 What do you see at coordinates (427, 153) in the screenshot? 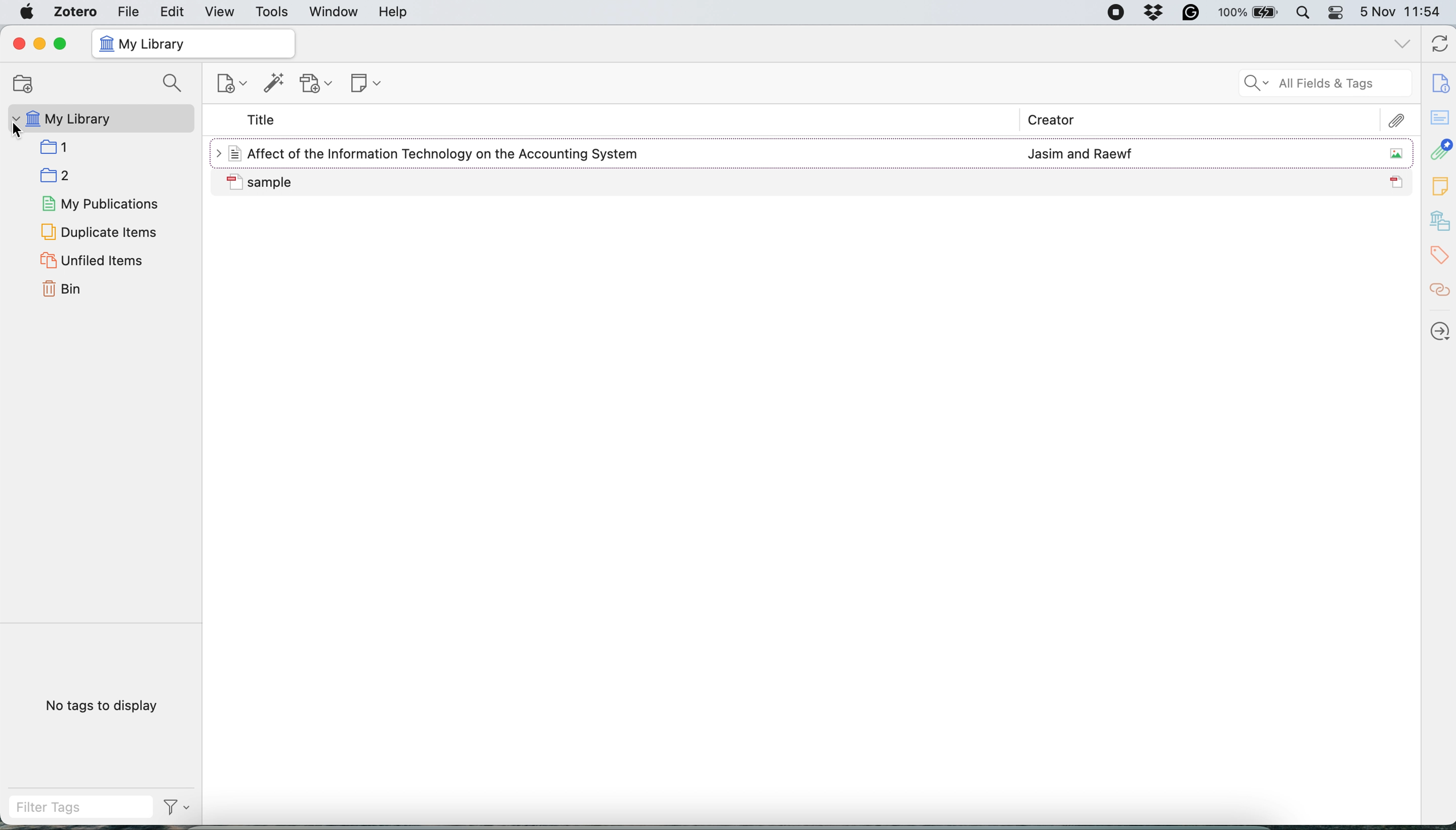
I see `File title` at bounding box center [427, 153].